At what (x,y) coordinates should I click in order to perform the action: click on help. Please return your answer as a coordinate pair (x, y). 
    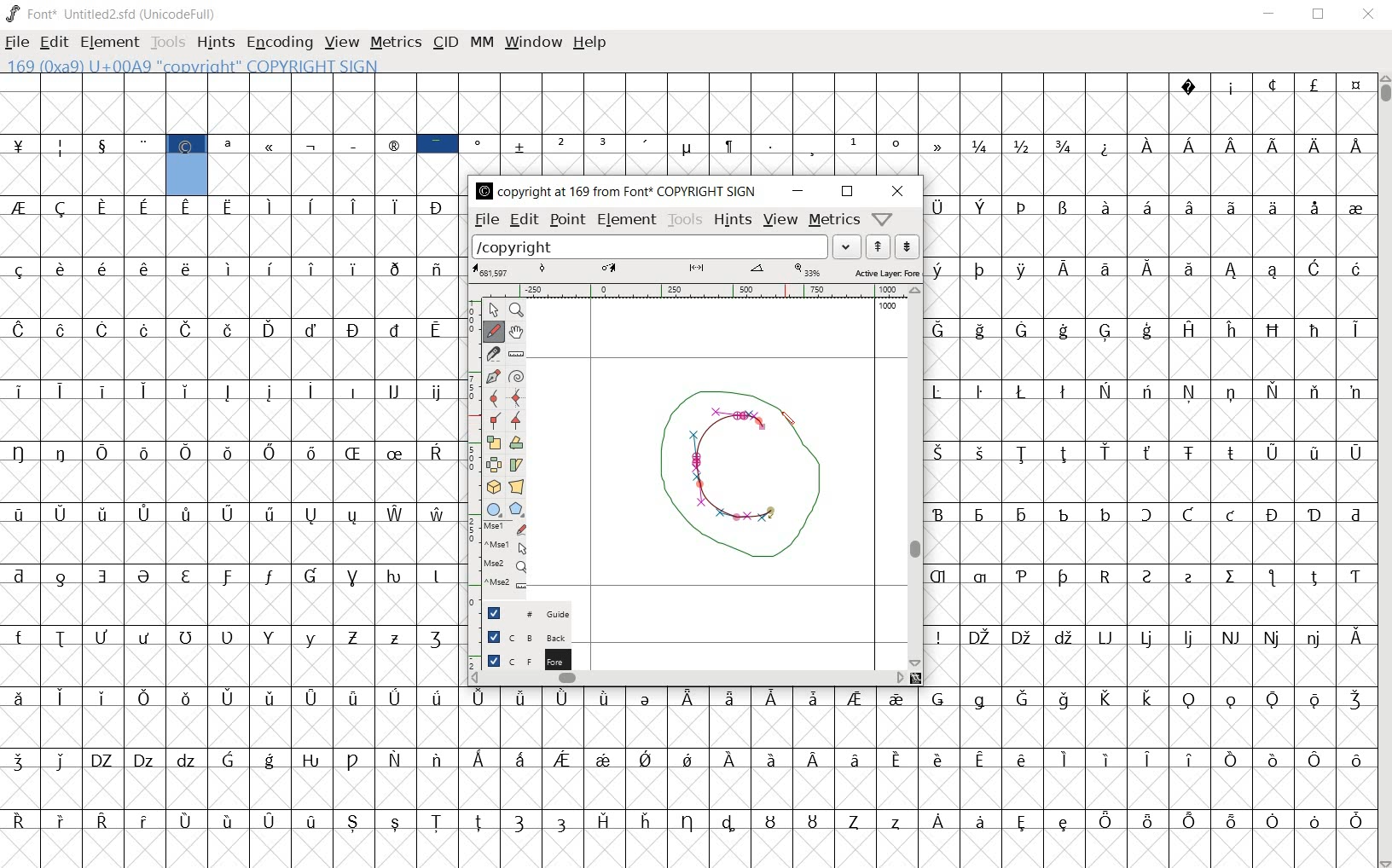
    Looking at the image, I should click on (589, 43).